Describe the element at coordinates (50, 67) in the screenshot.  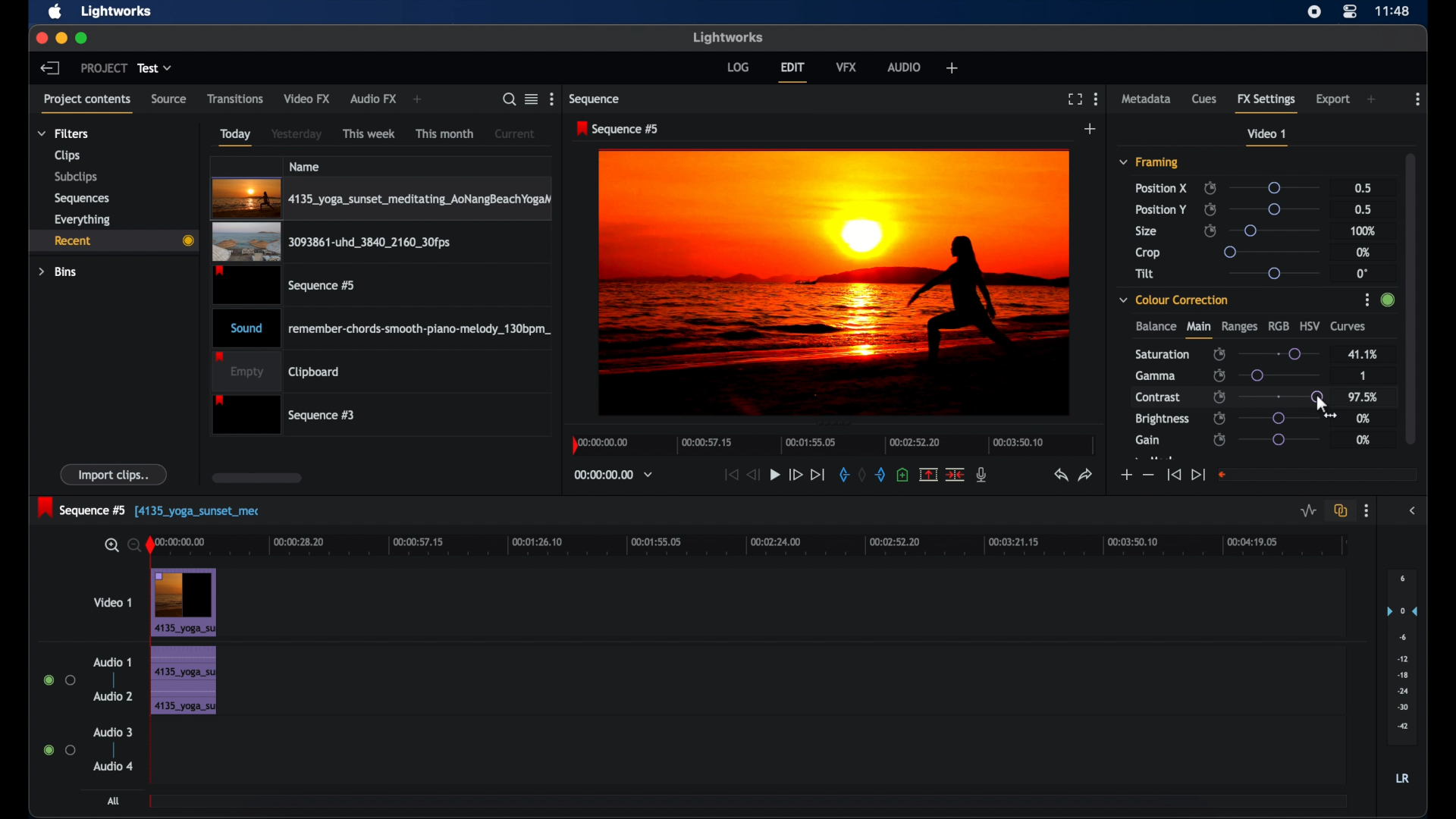
I see `back` at that location.